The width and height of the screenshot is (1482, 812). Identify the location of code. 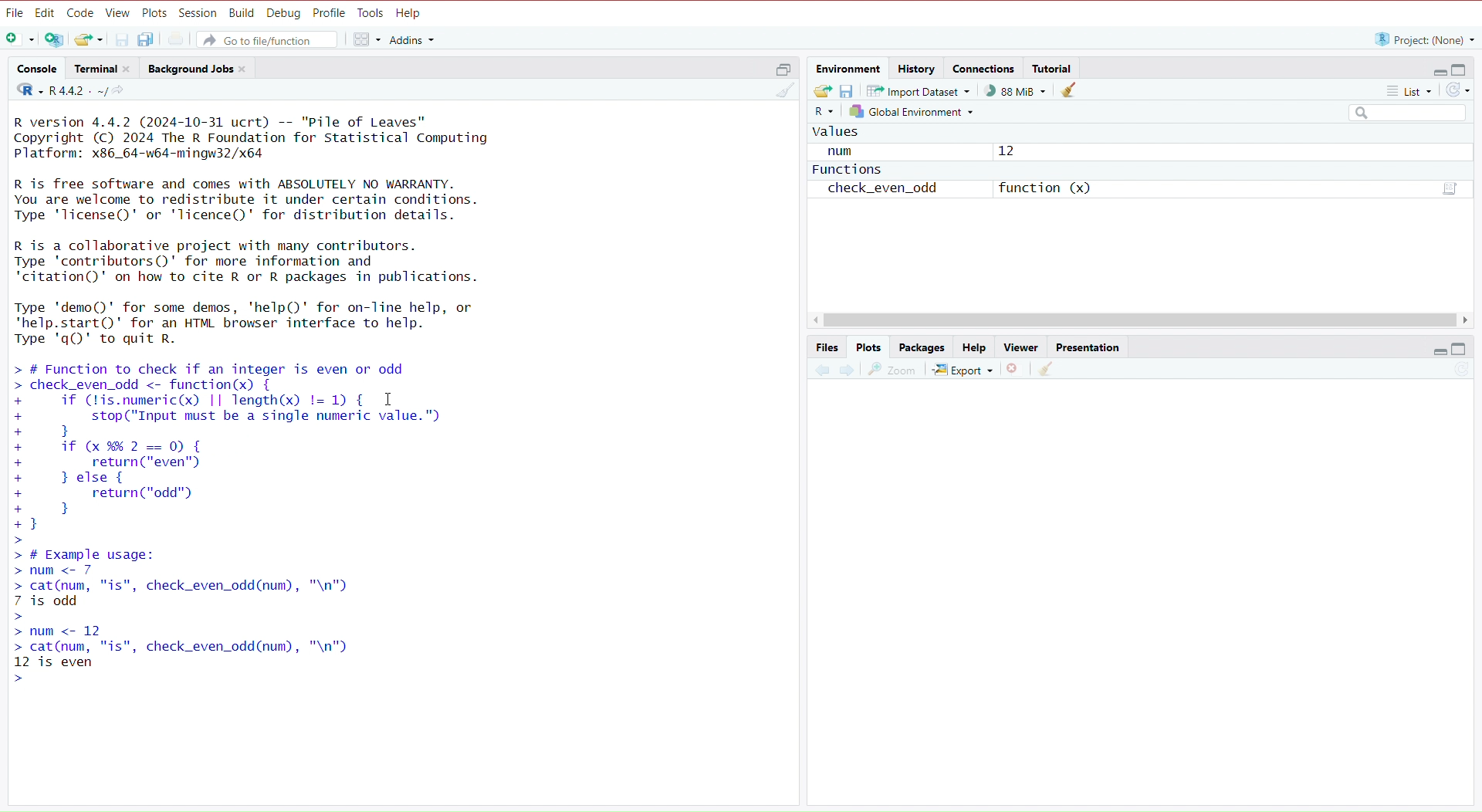
(80, 13).